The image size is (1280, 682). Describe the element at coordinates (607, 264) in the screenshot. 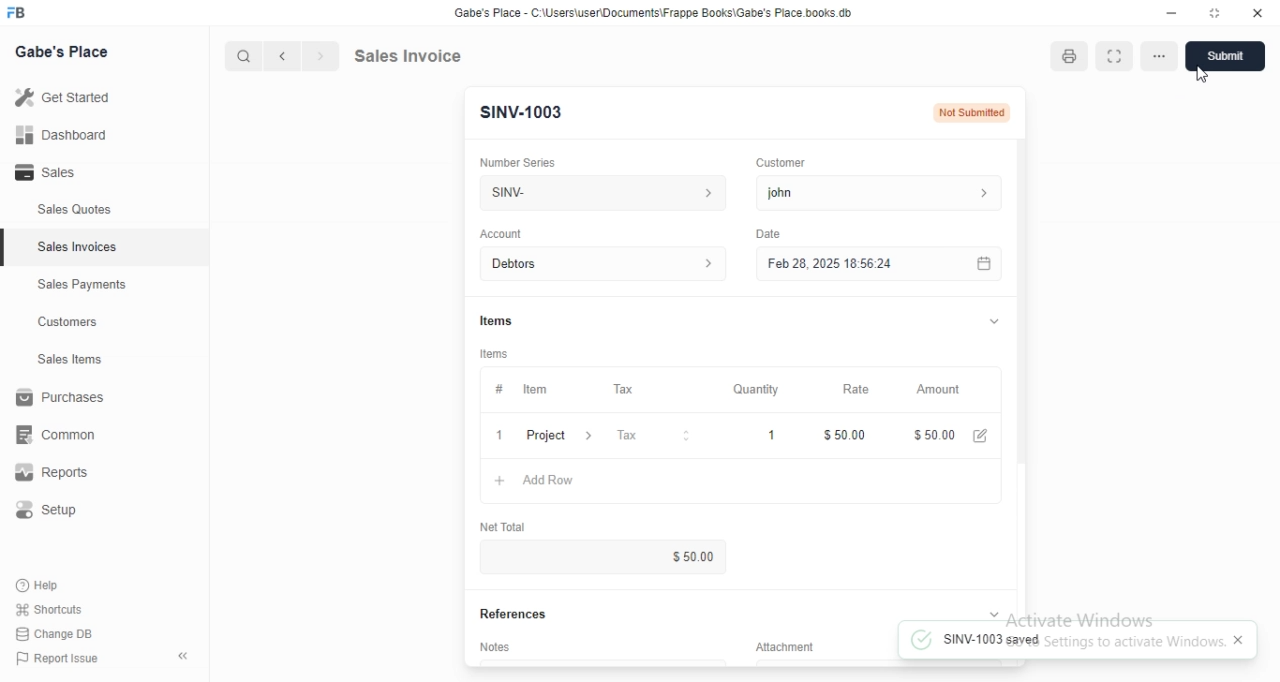

I see `Account` at that location.